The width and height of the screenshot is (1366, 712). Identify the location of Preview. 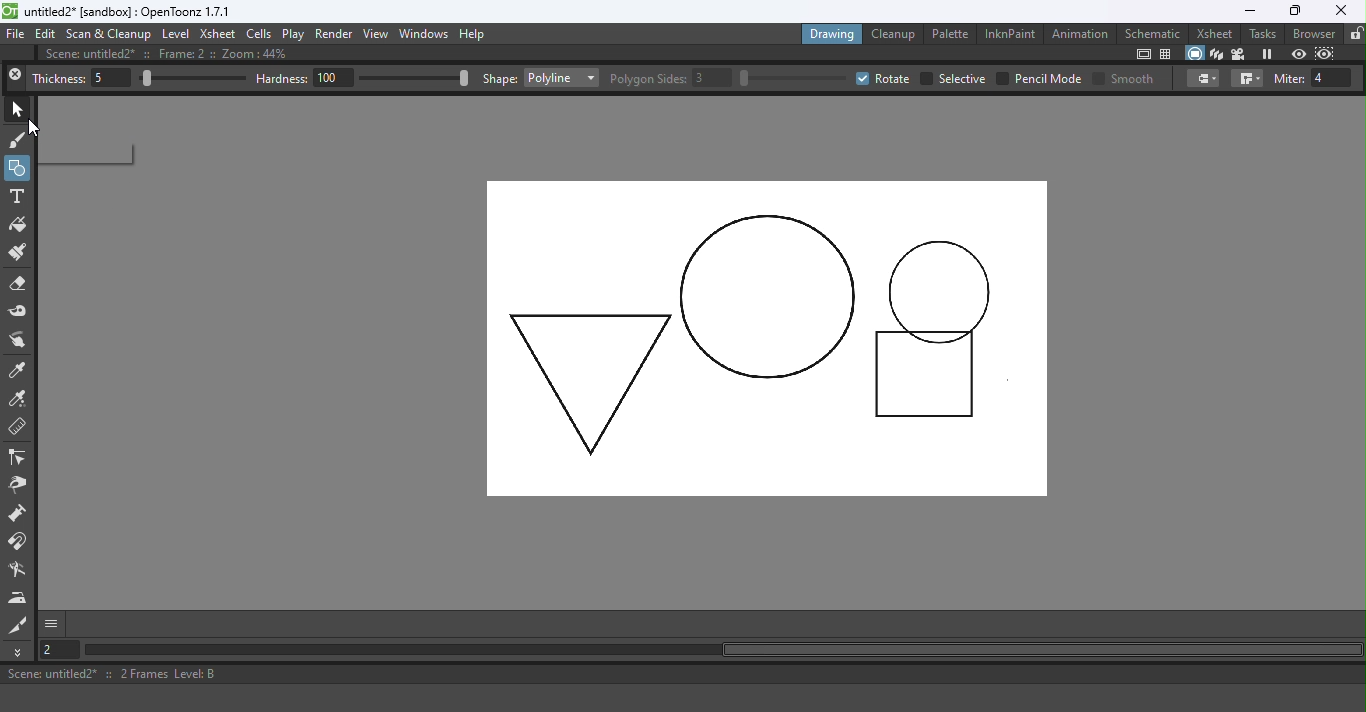
(1298, 53).